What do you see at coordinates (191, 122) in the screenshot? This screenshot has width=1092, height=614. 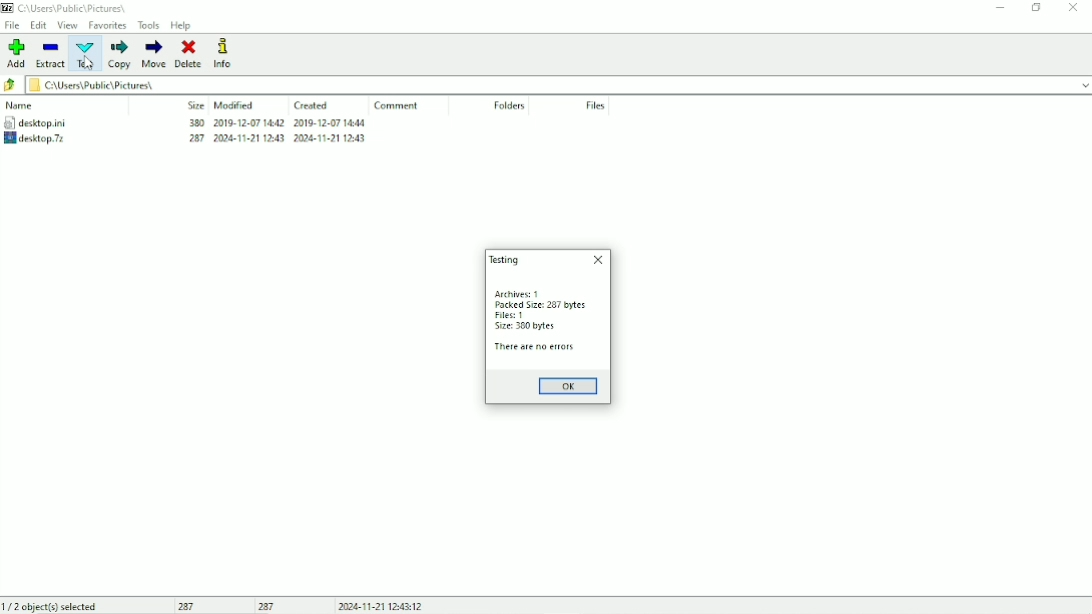 I see `380` at bounding box center [191, 122].